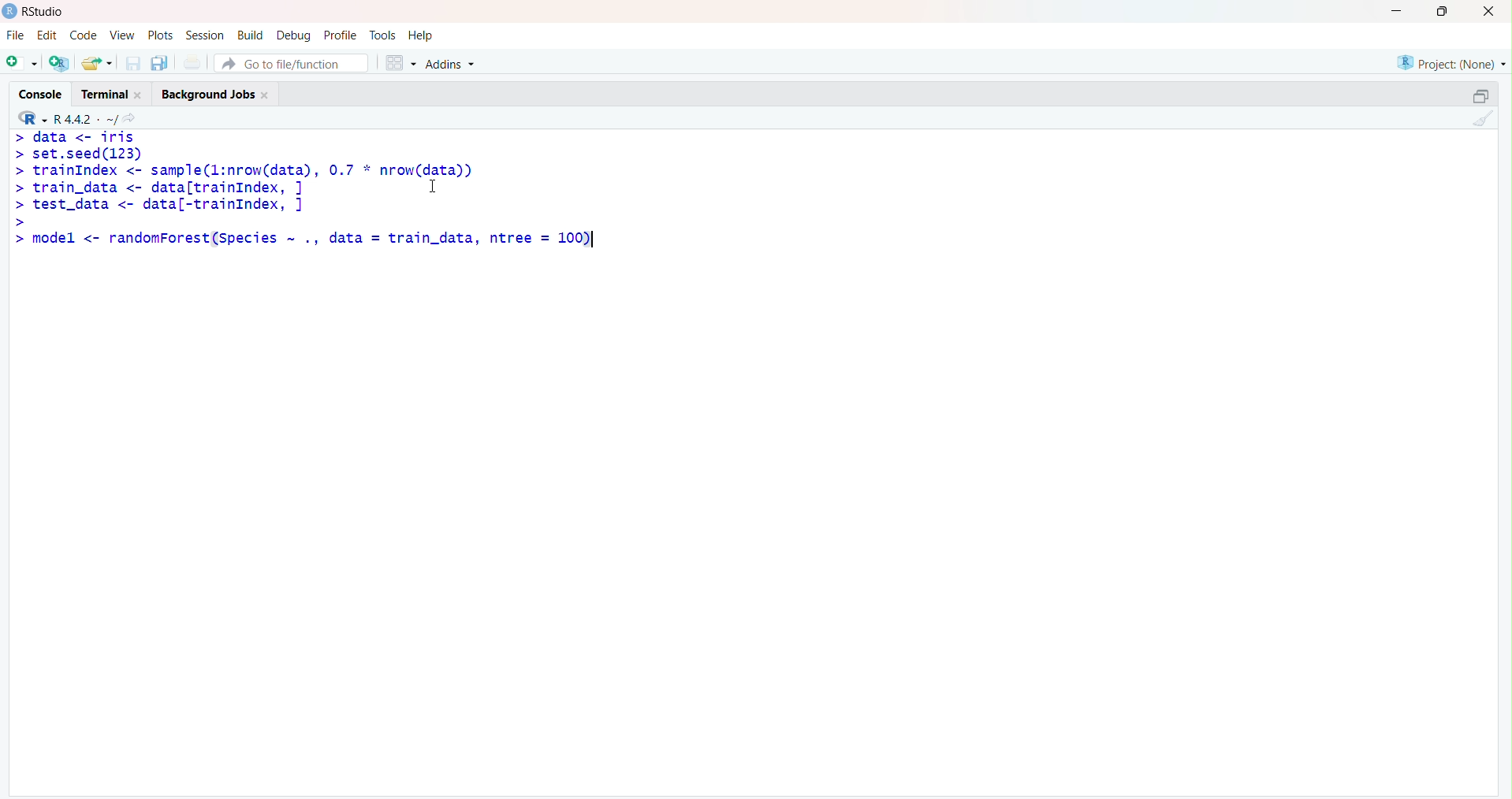 The height and width of the screenshot is (799, 1512). What do you see at coordinates (1481, 120) in the screenshot?
I see `Clear console (Ctrl + L)` at bounding box center [1481, 120].